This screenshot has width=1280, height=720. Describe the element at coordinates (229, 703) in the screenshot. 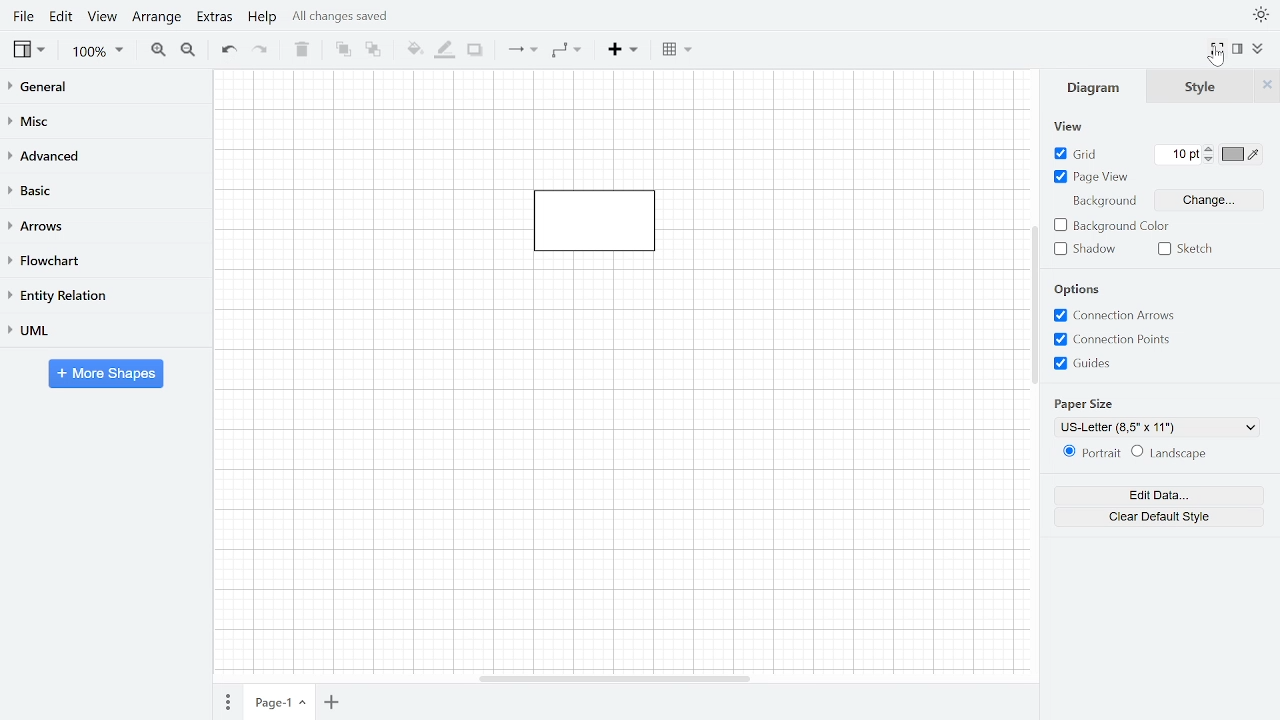

I see `Pages` at that location.